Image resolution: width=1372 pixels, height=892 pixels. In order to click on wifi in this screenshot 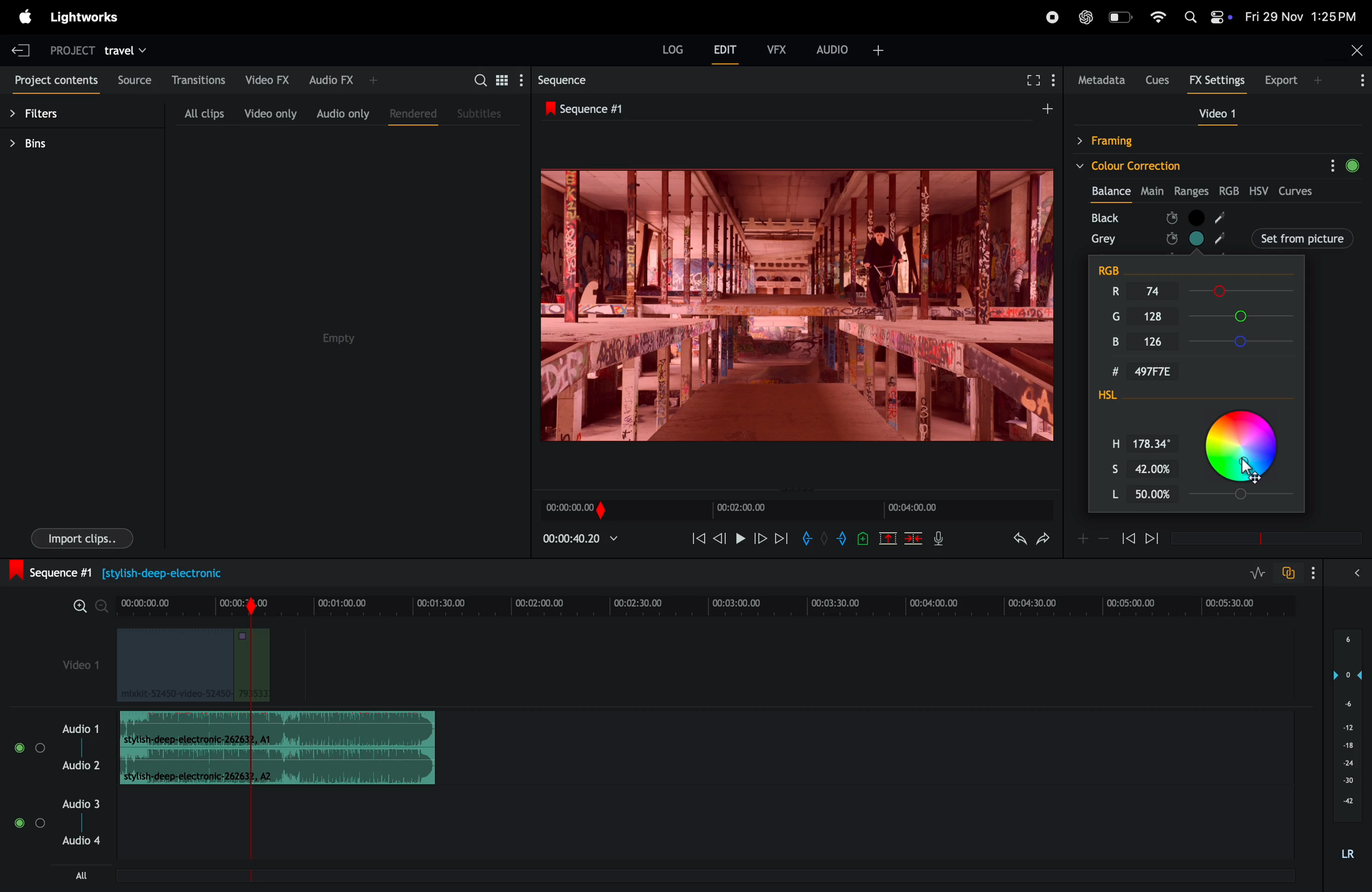, I will do `click(1158, 17)`.